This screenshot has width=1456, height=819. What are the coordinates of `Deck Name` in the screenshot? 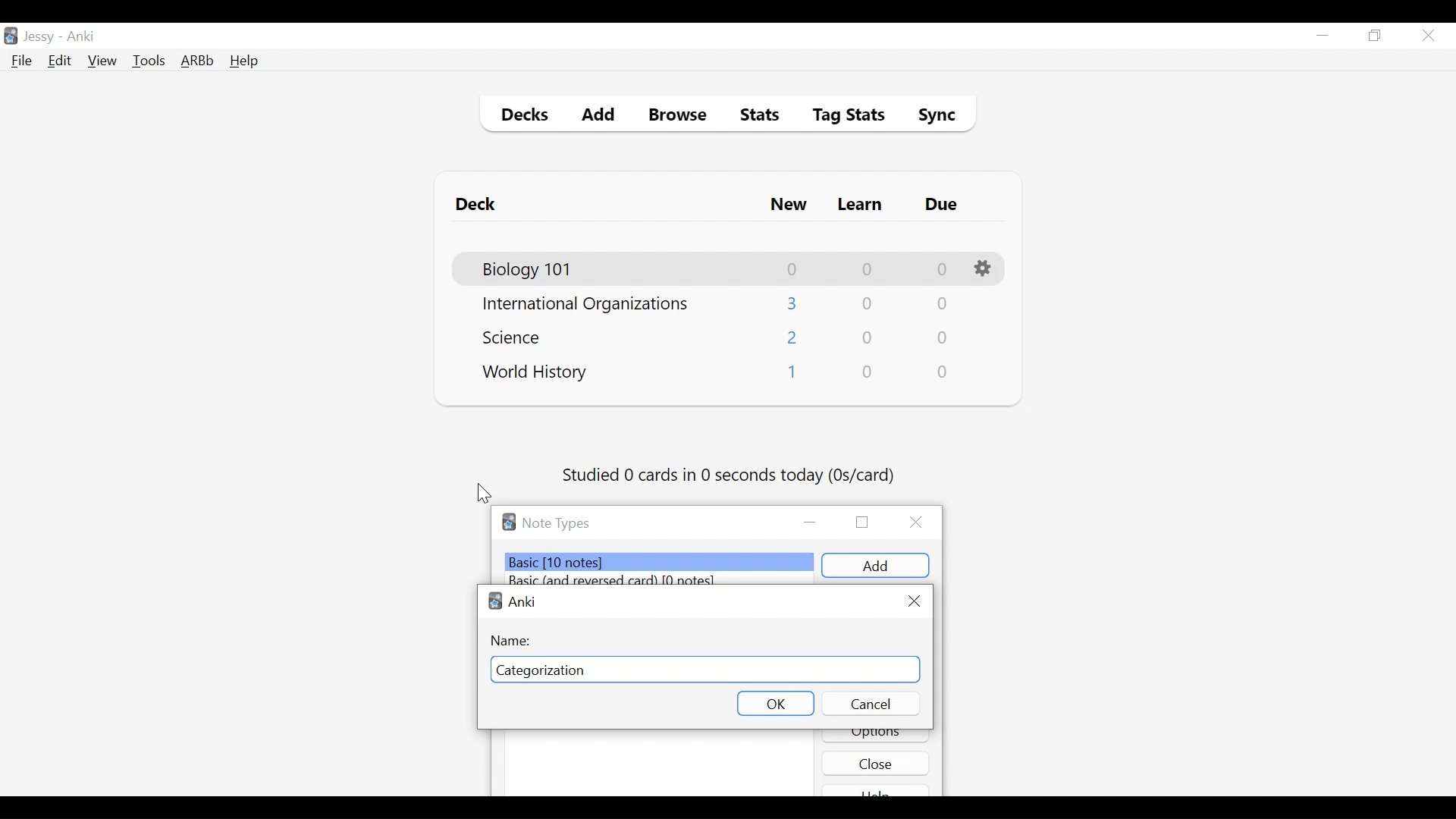 It's located at (516, 337).